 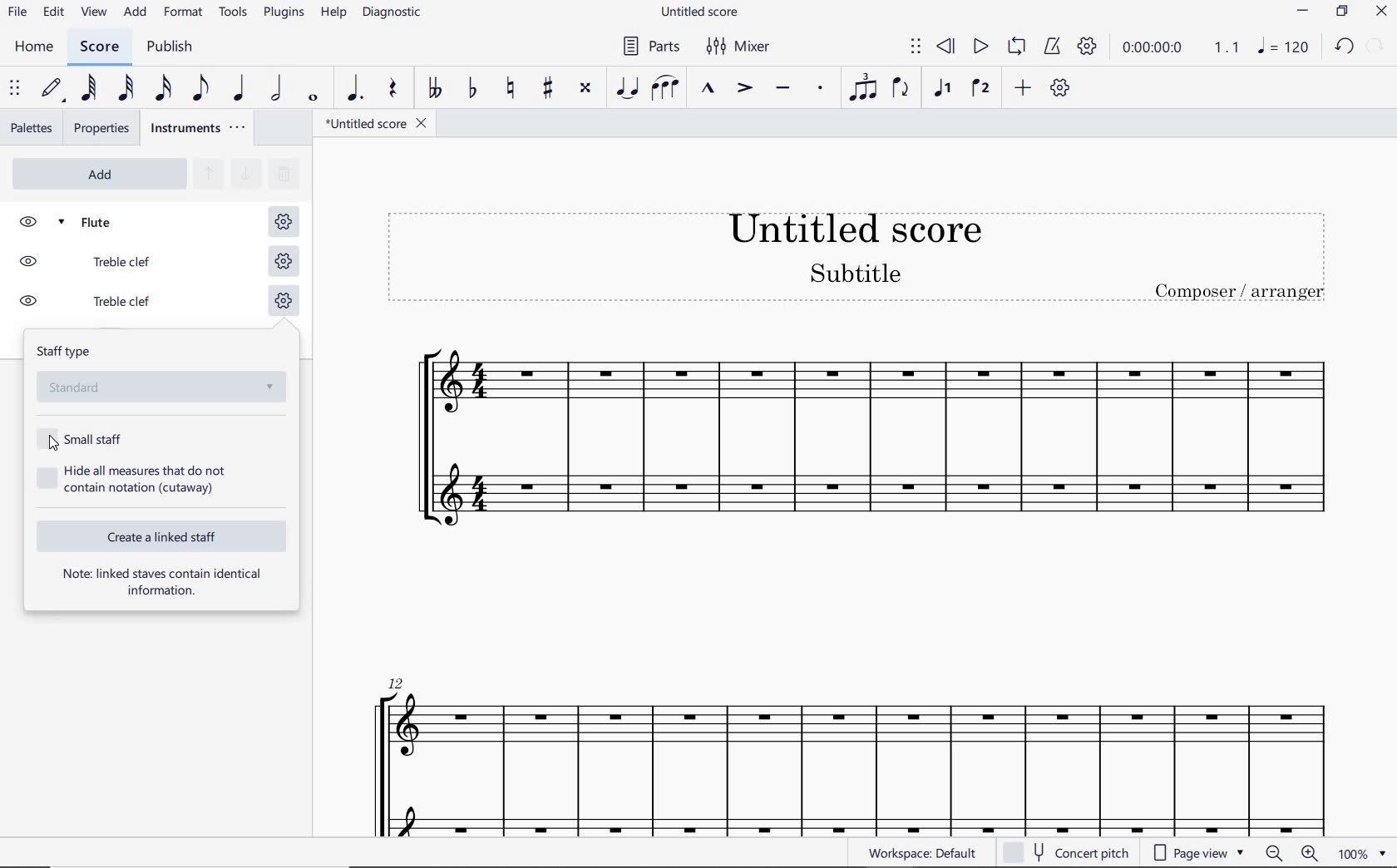 What do you see at coordinates (314, 100) in the screenshot?
I see `WHOLE NOTE` at bounding box center [314, 100].